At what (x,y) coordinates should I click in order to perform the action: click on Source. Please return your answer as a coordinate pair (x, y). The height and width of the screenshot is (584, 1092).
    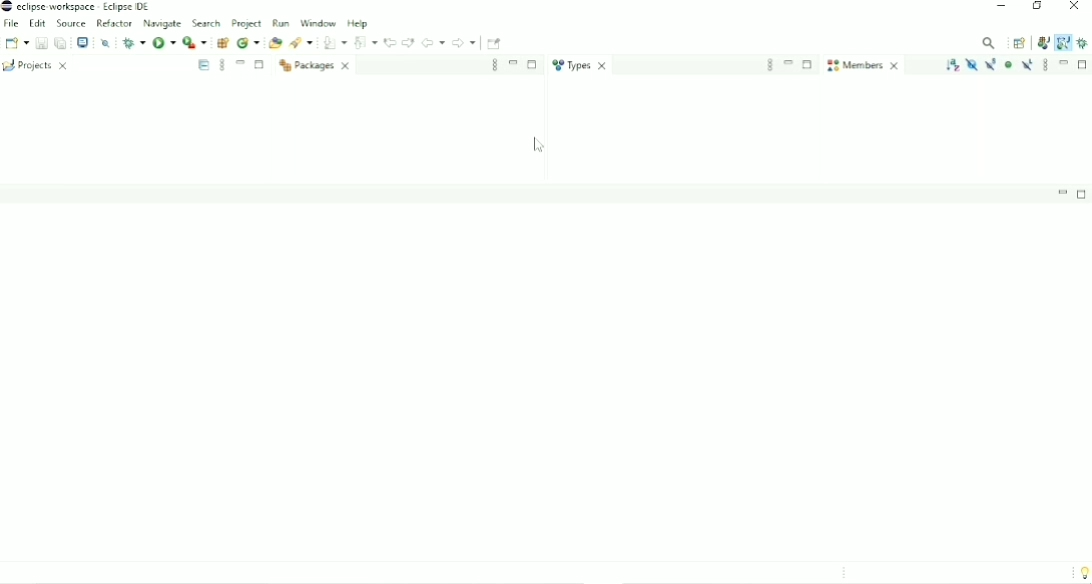
    Looking at the image, I should click on (72, 23).